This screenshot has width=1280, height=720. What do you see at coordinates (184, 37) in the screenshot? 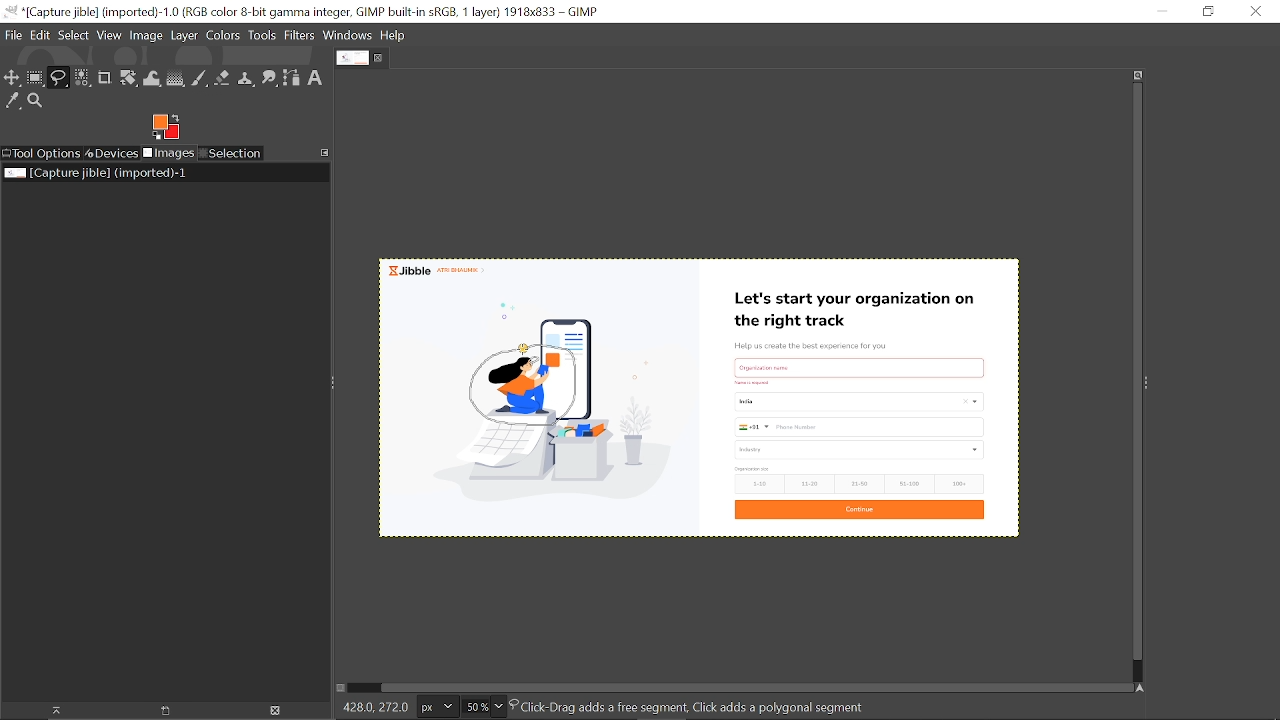
I see `Layer` at bounding box center [184, 37].